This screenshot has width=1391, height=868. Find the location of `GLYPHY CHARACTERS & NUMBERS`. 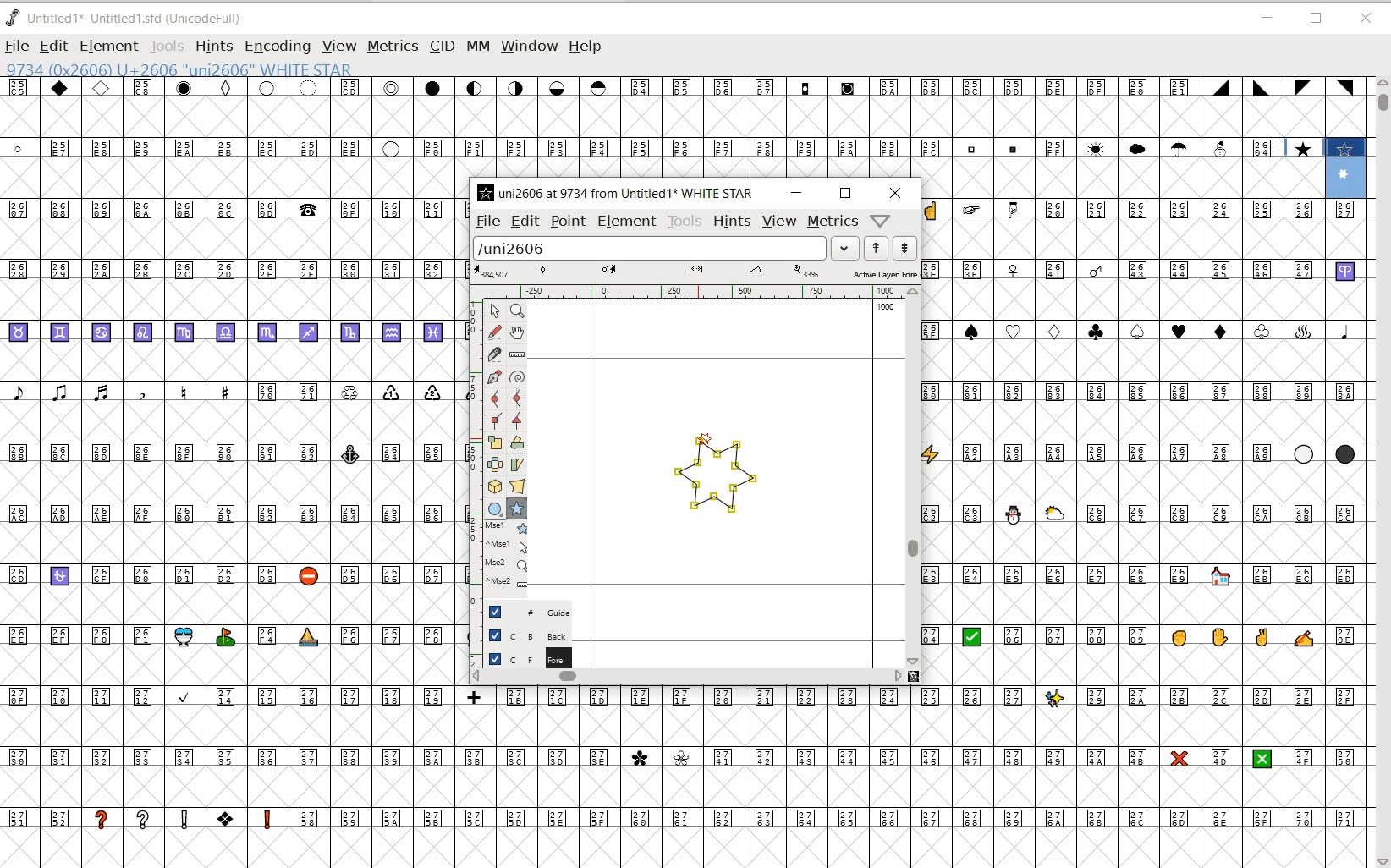

GLYPHY CHARACTERS & NUMBERS is located at coordinates (1144, 684).